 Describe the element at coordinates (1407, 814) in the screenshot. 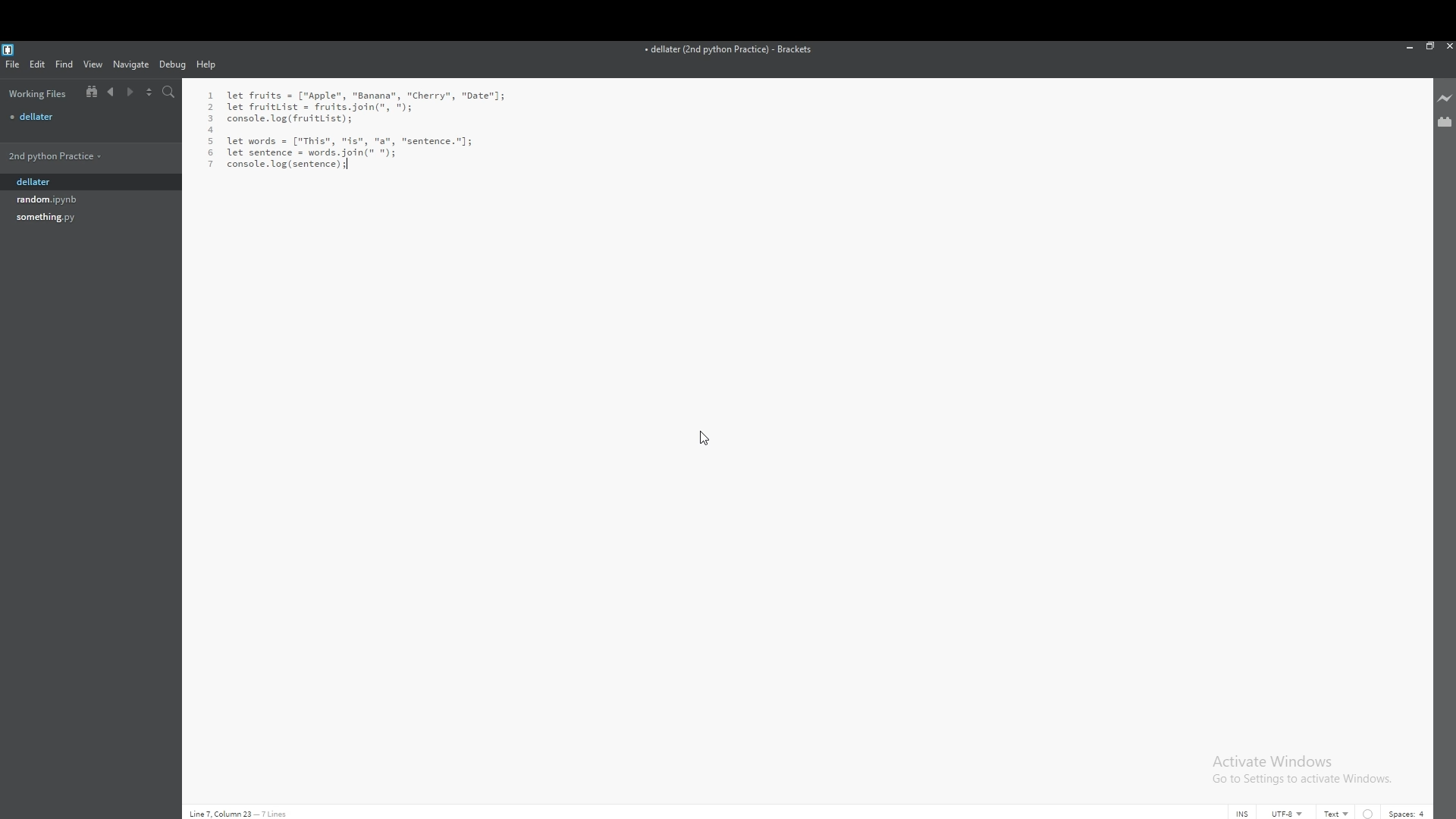

I see `spaces` at that location.